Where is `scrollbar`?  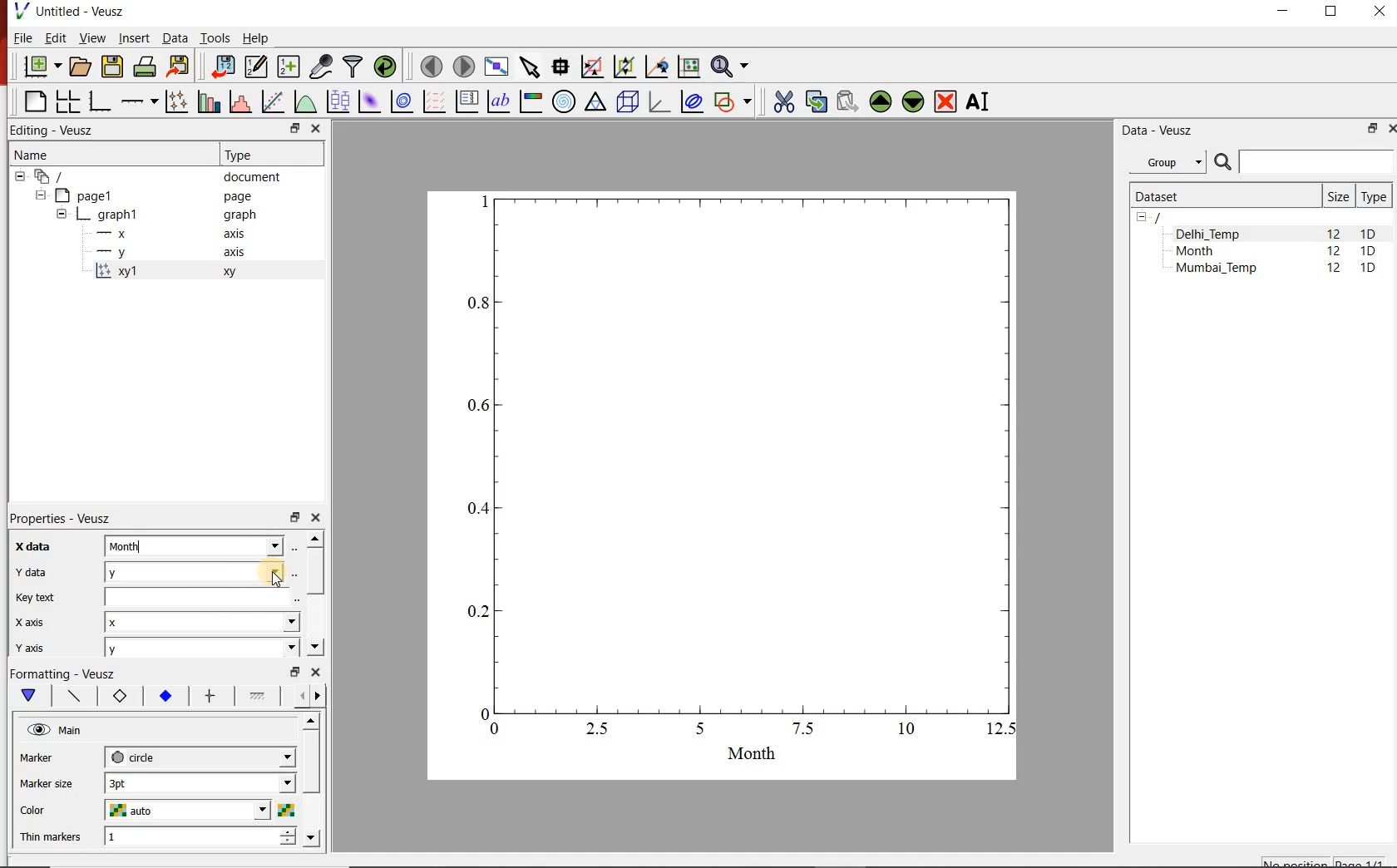
scrollbar is located at coordinates (314, 594).